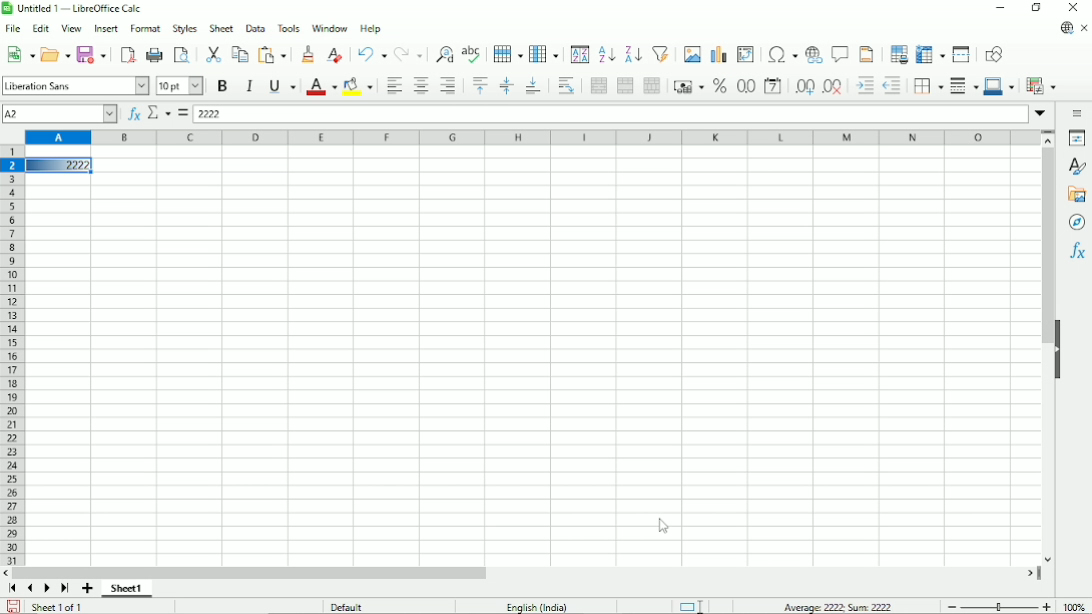  Describe the element at coordinates (76, 8) in the screenshot. I see `Untitled 1 - LibreOffice Calc` at that location.